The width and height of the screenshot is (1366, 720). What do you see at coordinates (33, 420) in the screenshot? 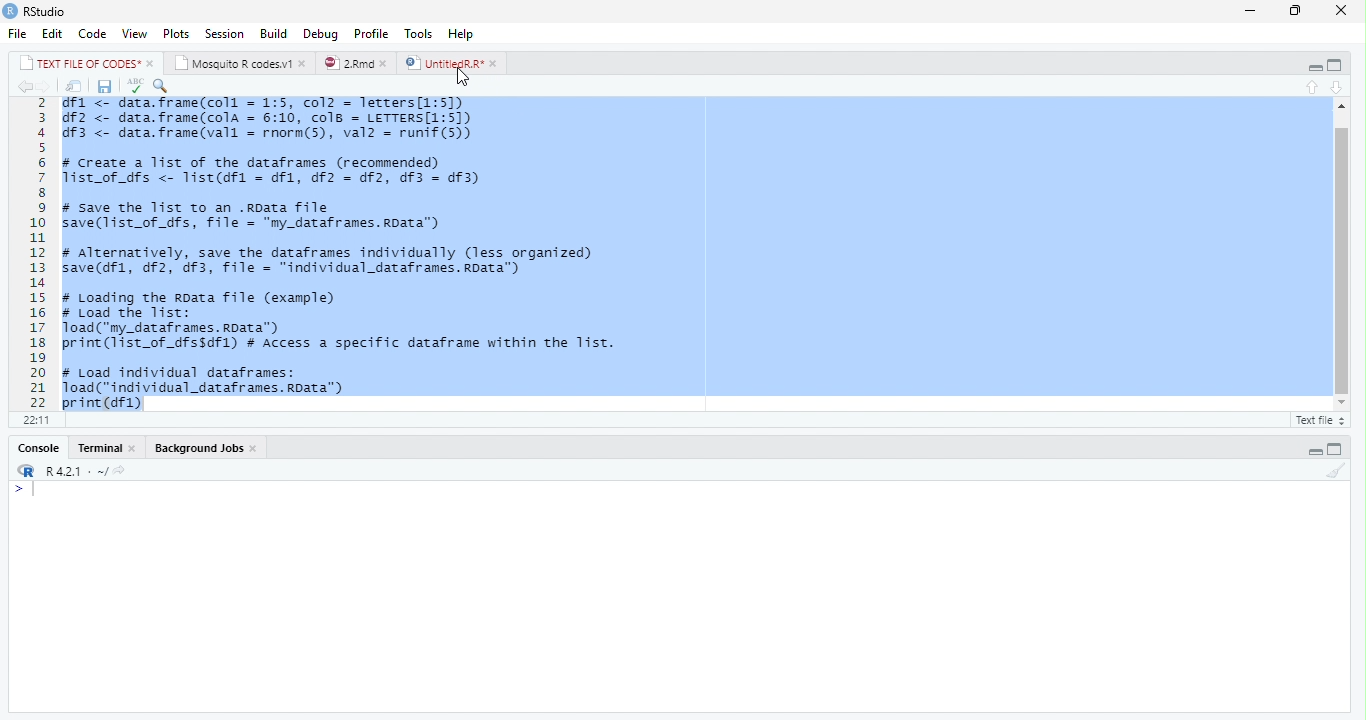
I see `1:1` at bounding box center [33, 420].